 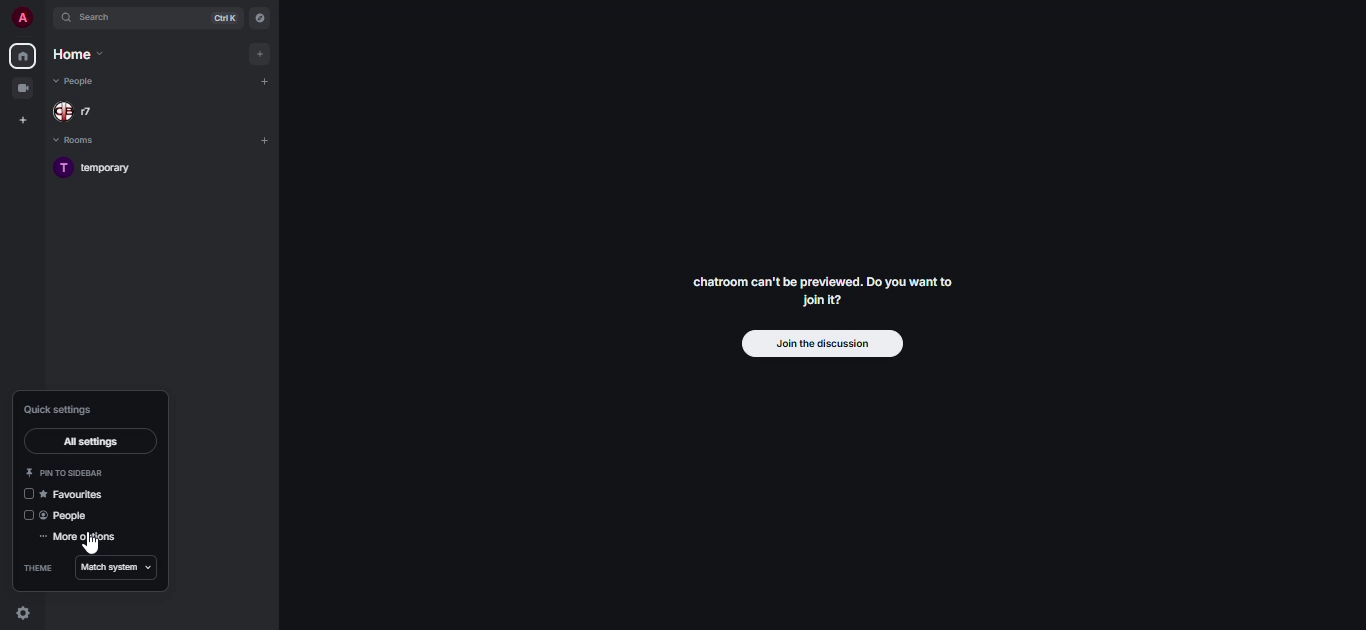 I want to click on navigator, so click(x=260, y=18).